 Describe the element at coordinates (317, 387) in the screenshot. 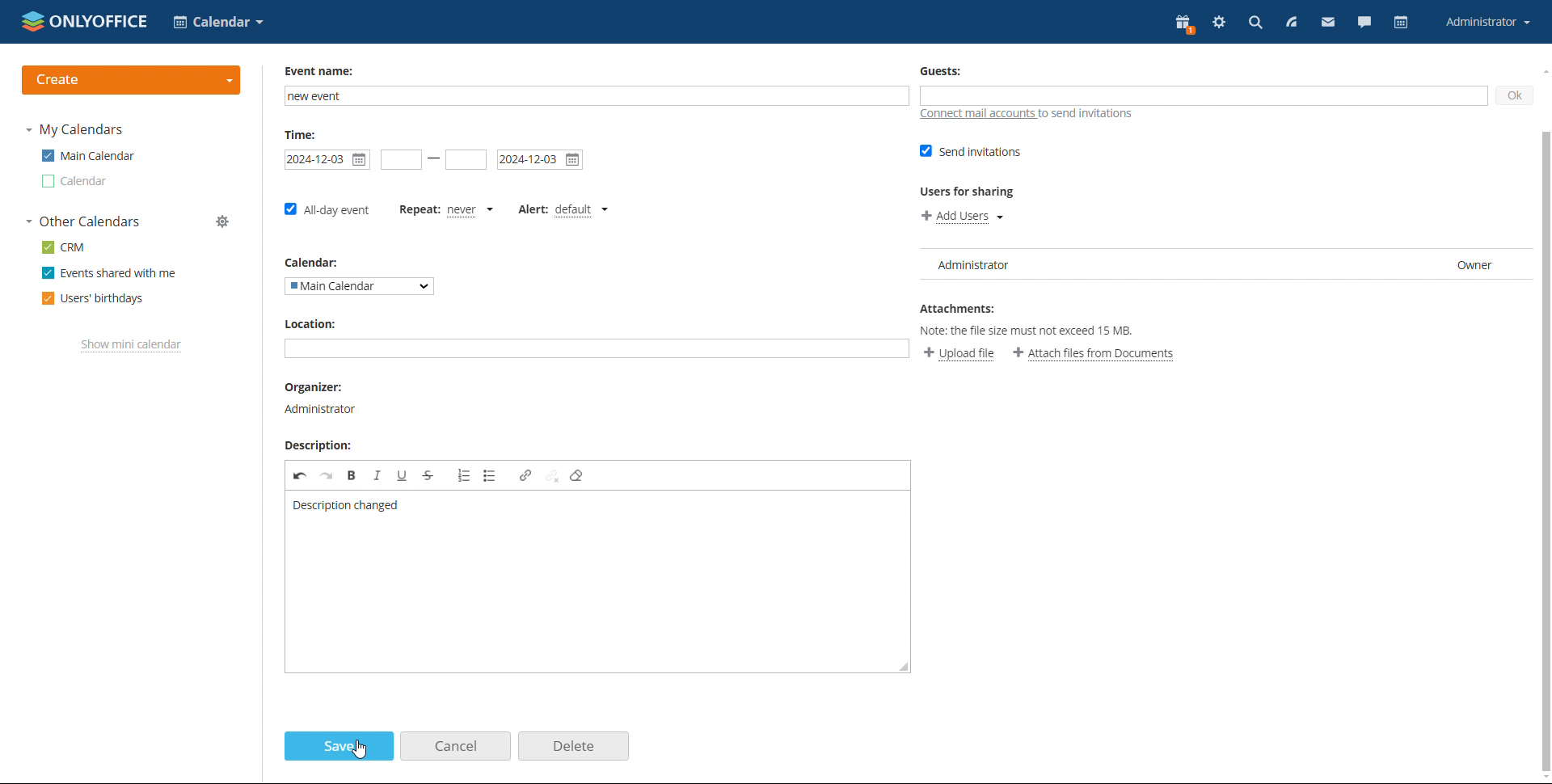

I see `Organizer:` at that location.